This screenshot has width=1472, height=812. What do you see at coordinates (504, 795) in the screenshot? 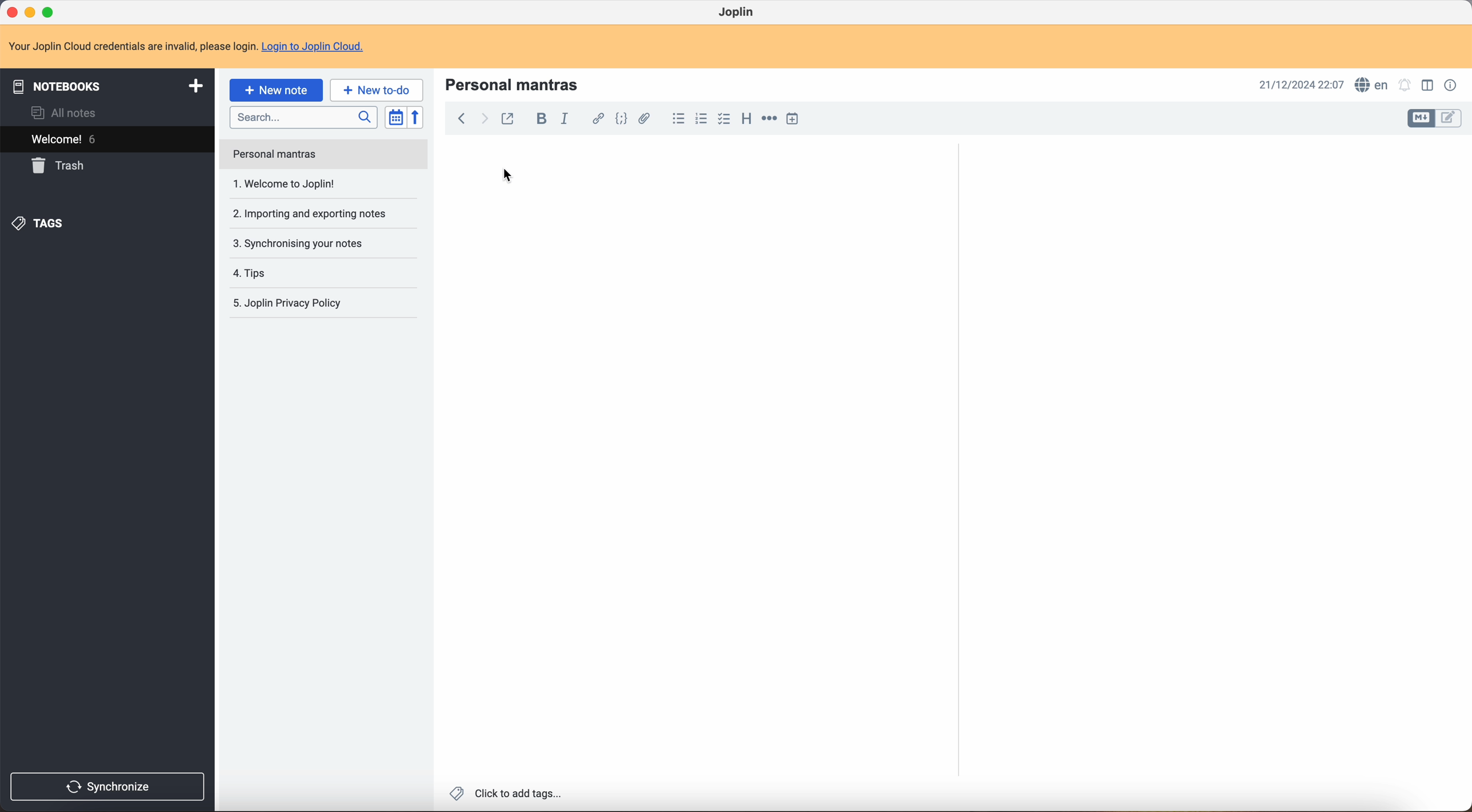
I see `click to add tags` at bounding box center [504, 795].